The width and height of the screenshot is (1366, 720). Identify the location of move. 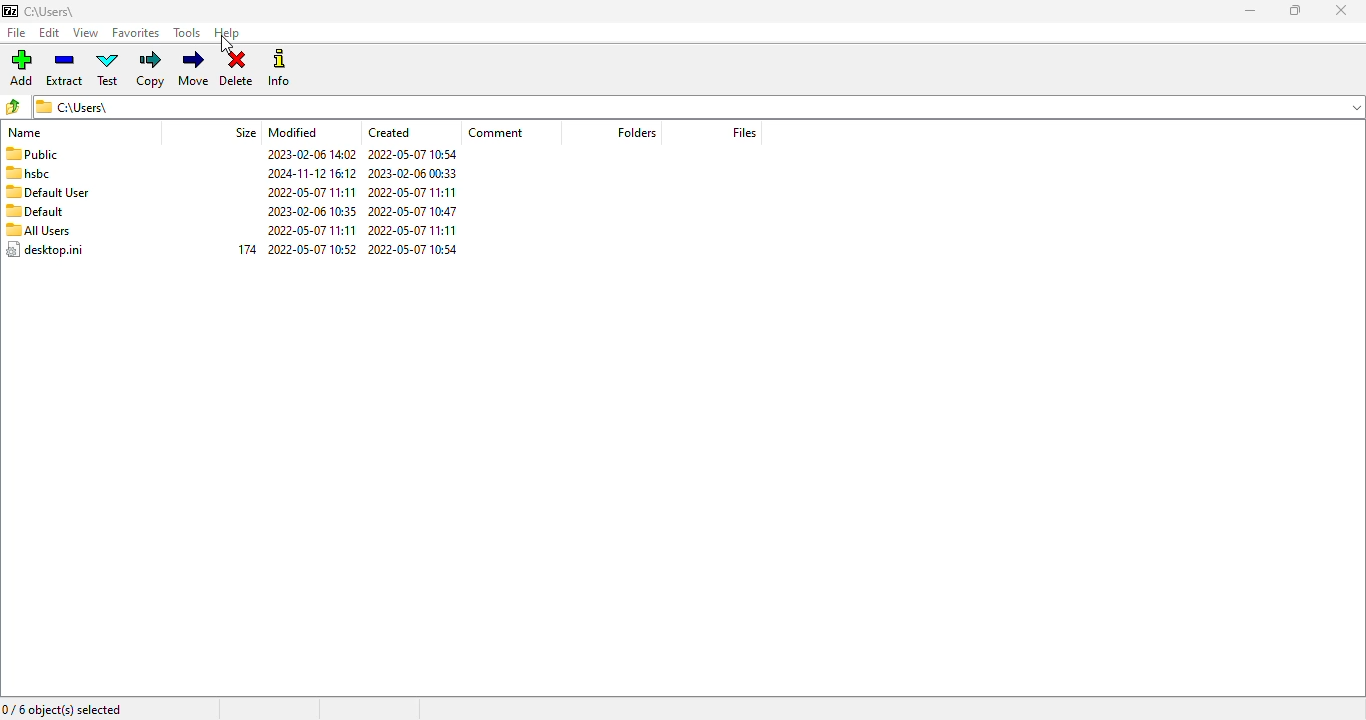
(195, 69).